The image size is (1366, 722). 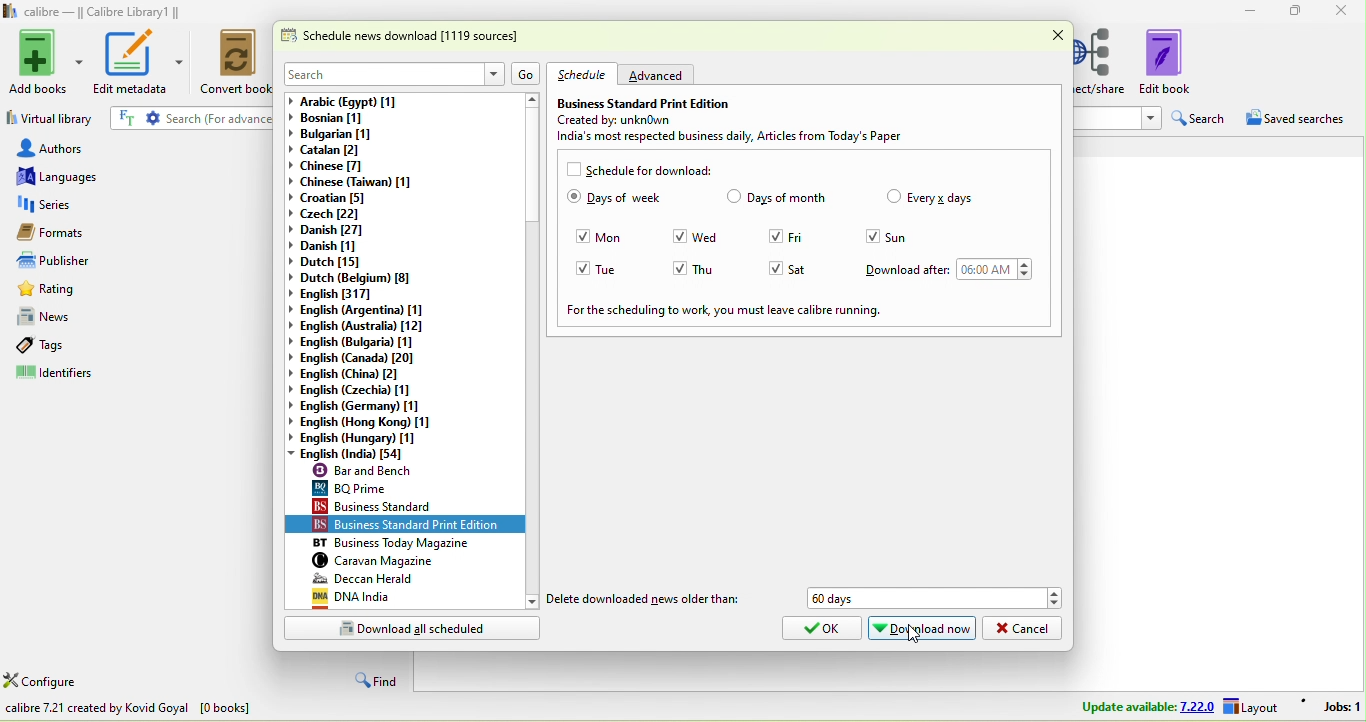 I want to click on bar and bench, so click(x=408, y=470).